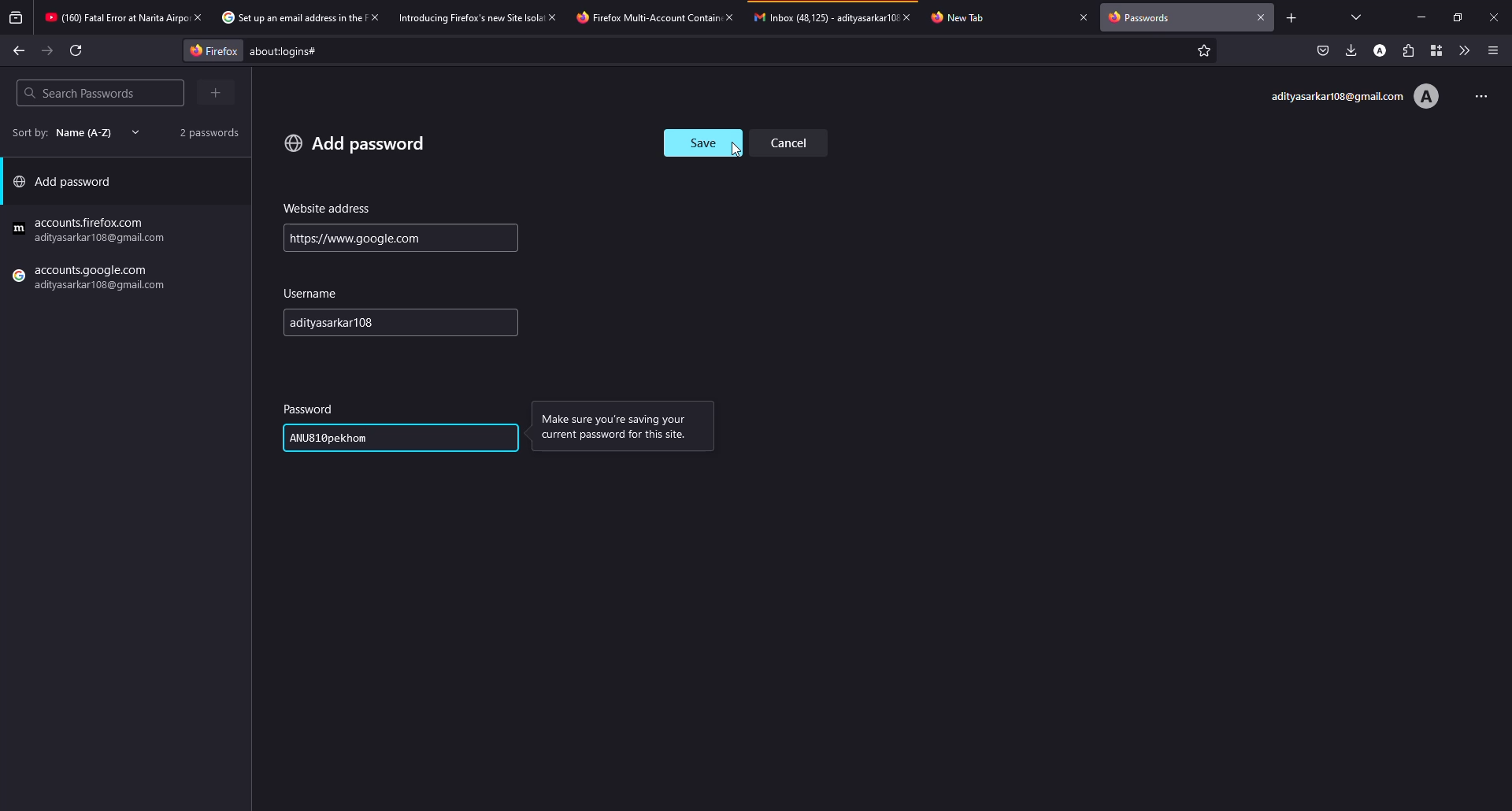  I want to click on tab, so click(289, 18).